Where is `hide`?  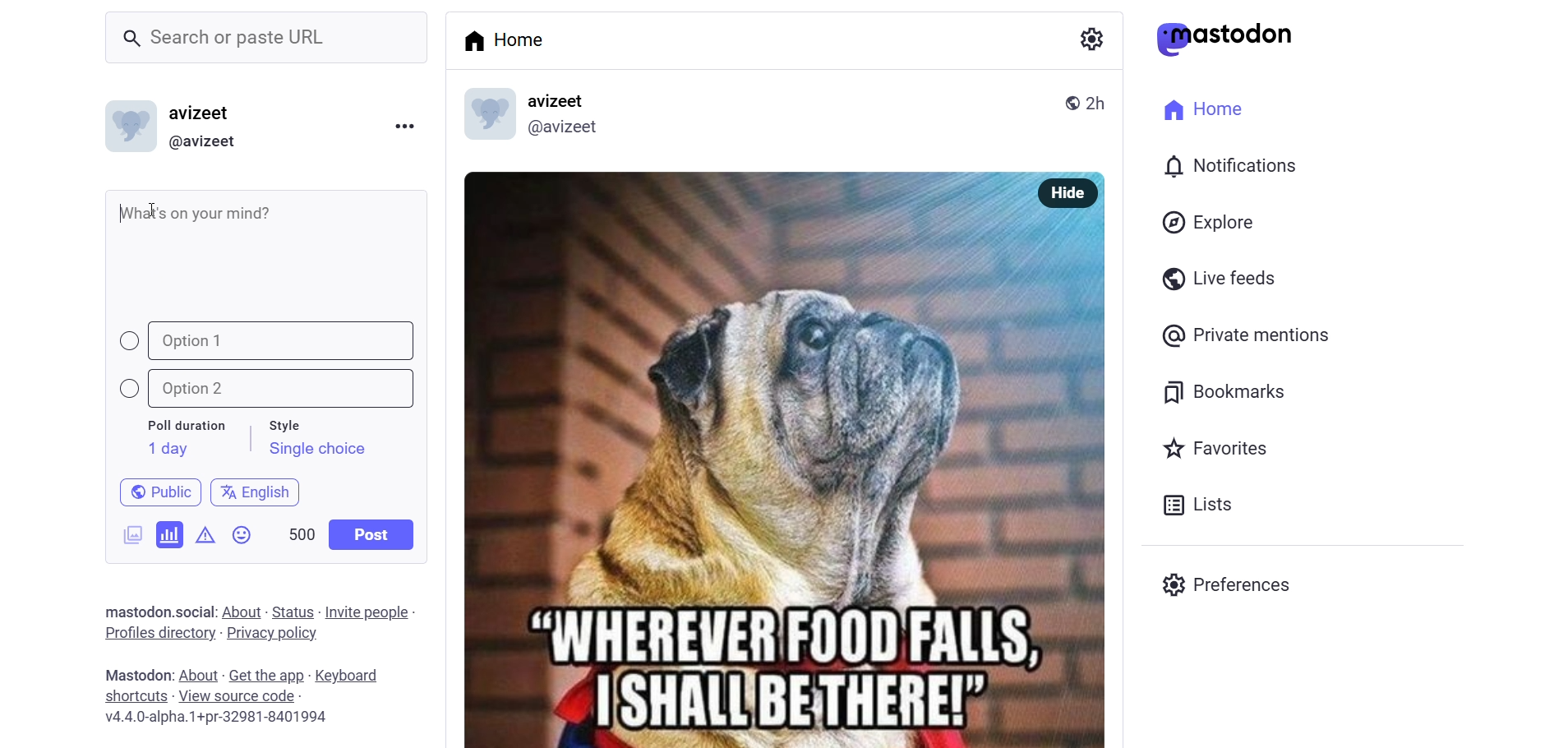
hide is located at coordinates (1063, 193).